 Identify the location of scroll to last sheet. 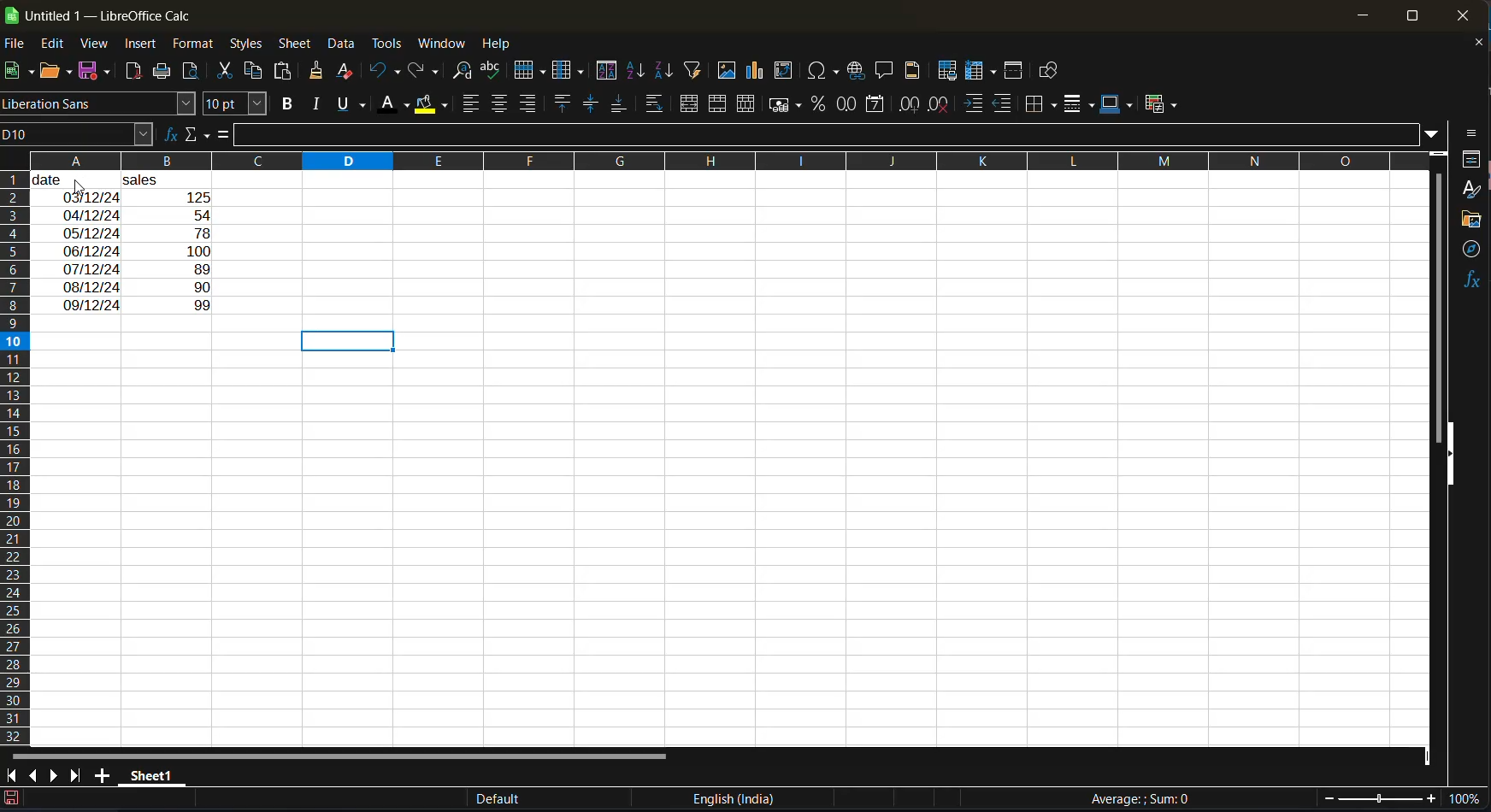
(79, 777).